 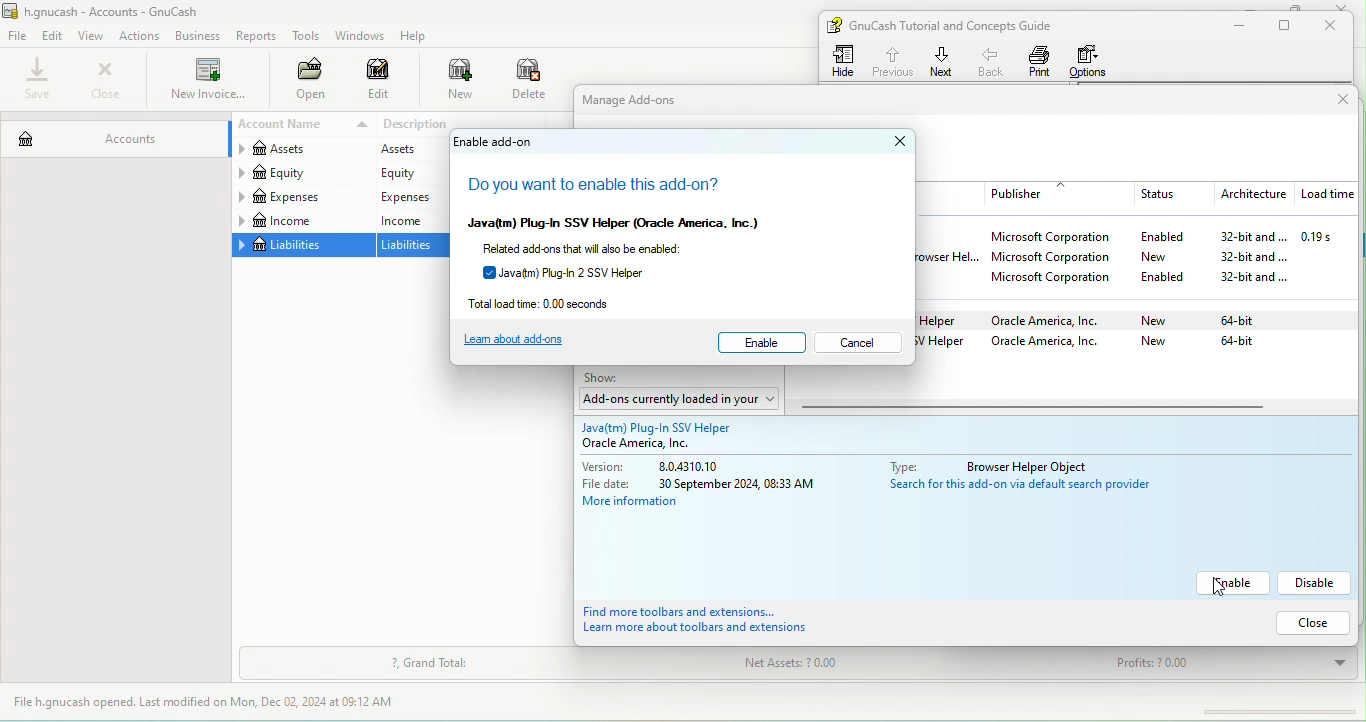 I want to click on oracle america lnc, so click(x=1052, y=322).